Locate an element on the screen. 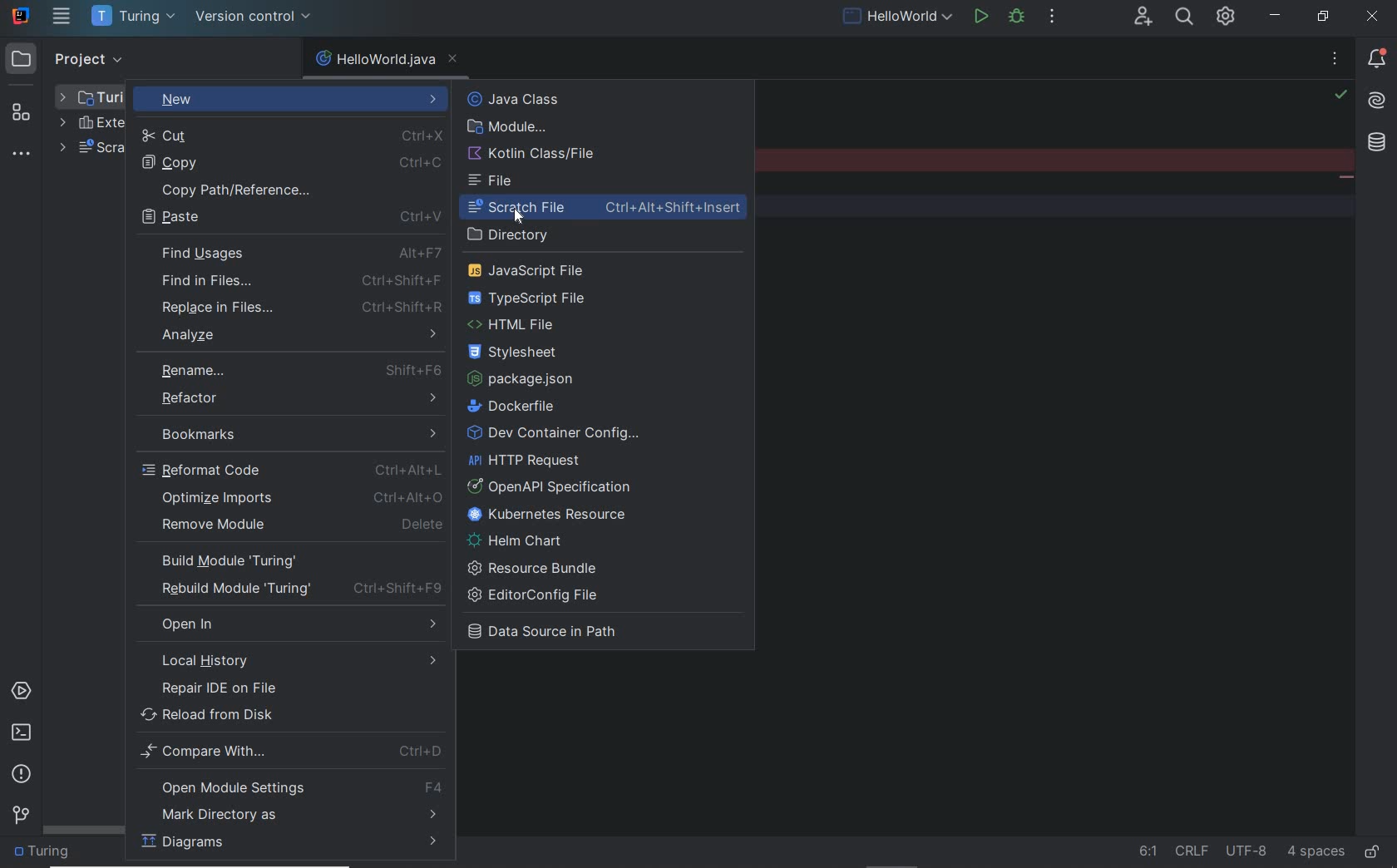 This screenshot has width=1397, height=868. go to line is located at coordinates (1148, 851).